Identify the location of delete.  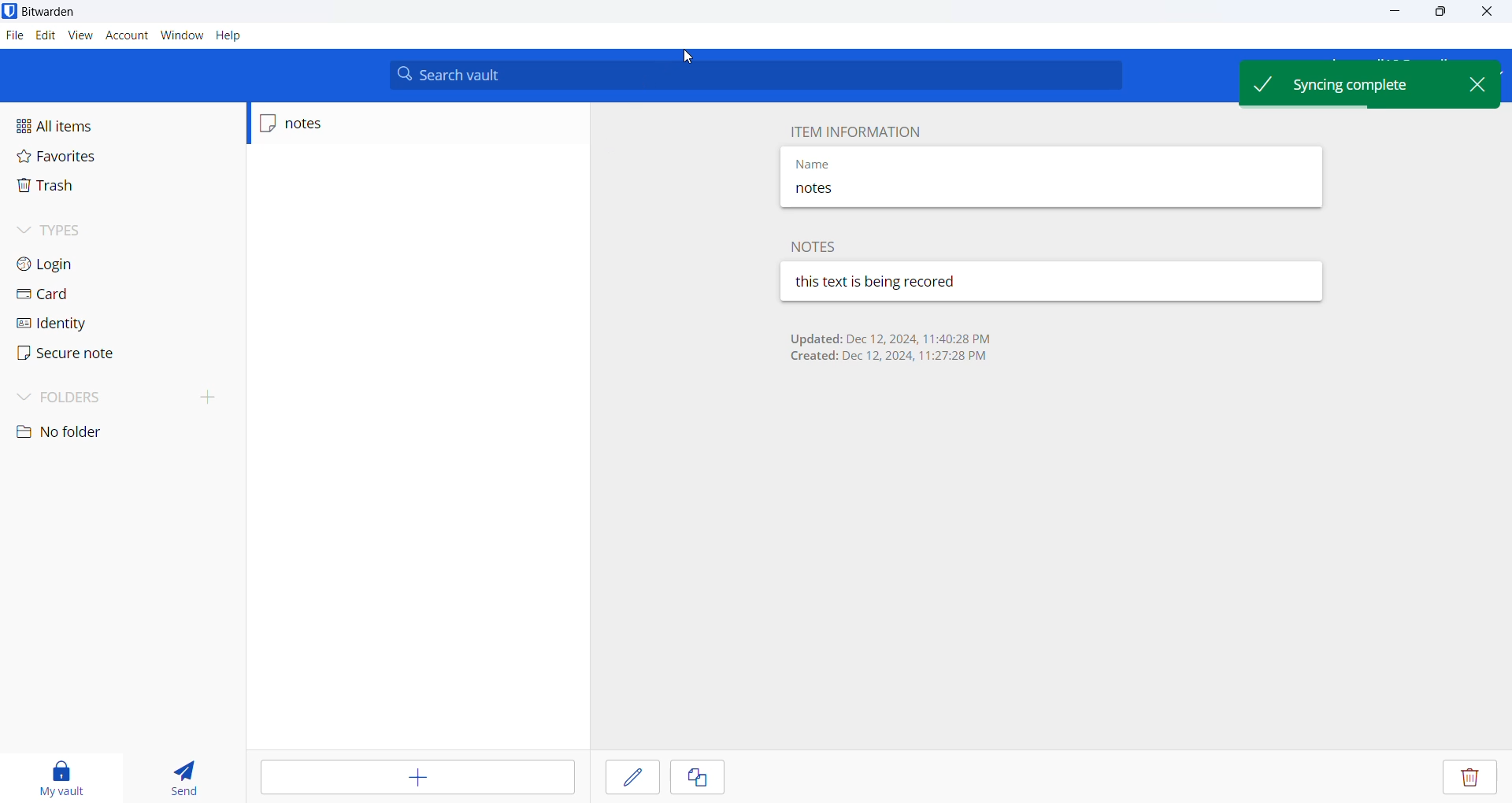
(1469, 778).